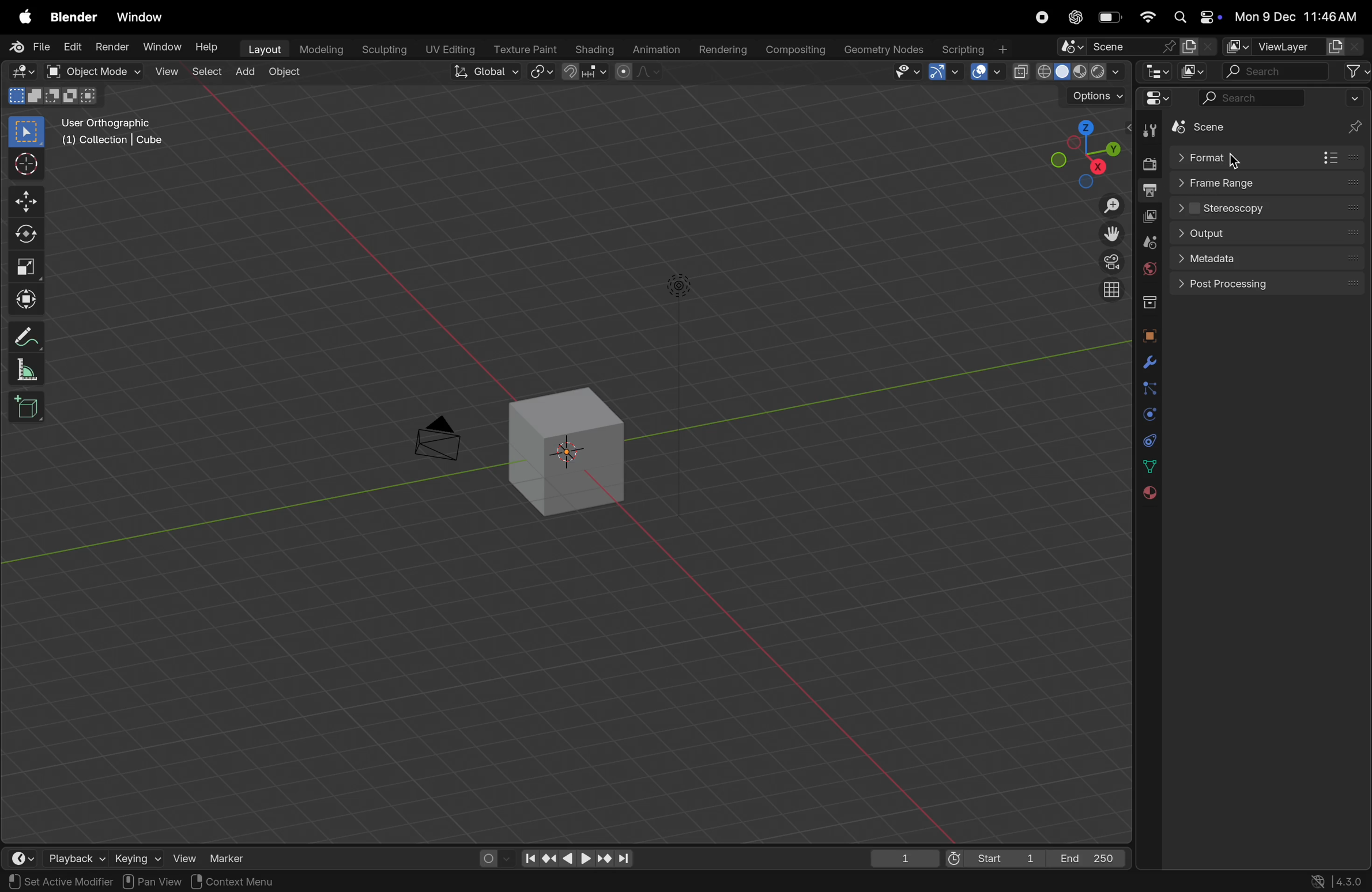 The width and height of the screenshot is (1372, 892). Describe the element at coordinates (905, 74) in the screenshot. I see `visibility` at that location.